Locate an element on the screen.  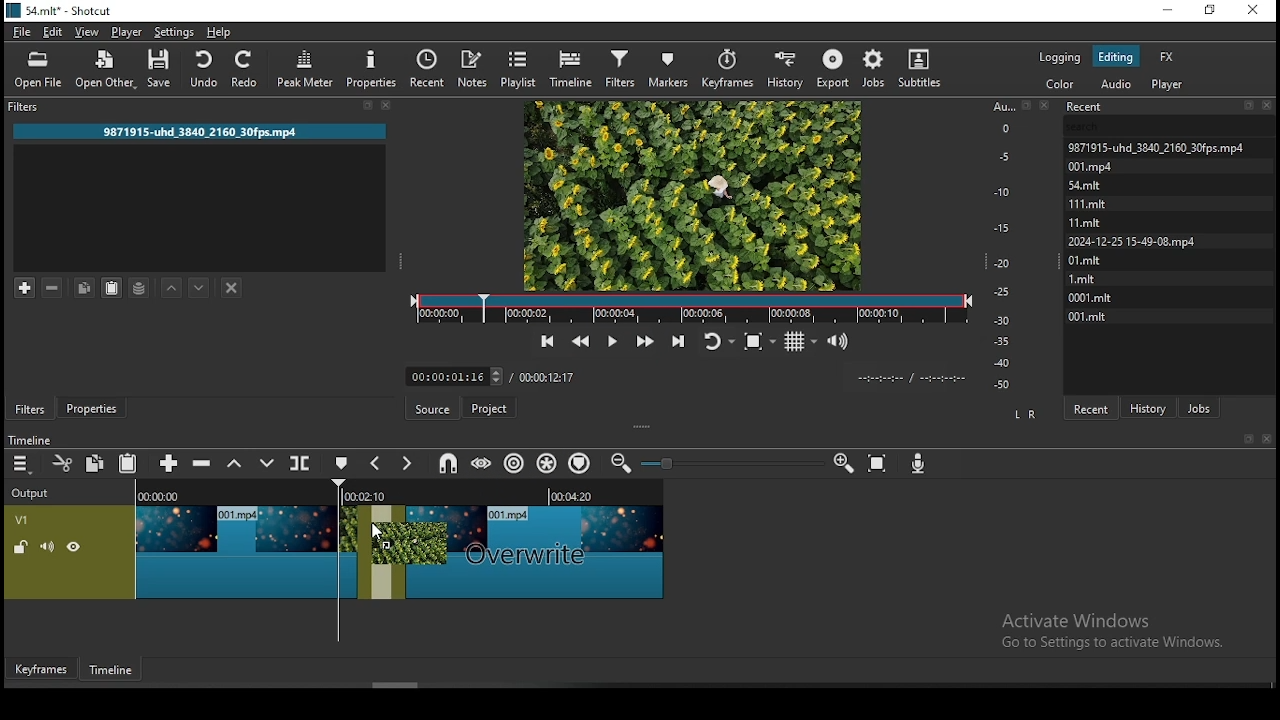
lift is located at coordinates (236, 464).